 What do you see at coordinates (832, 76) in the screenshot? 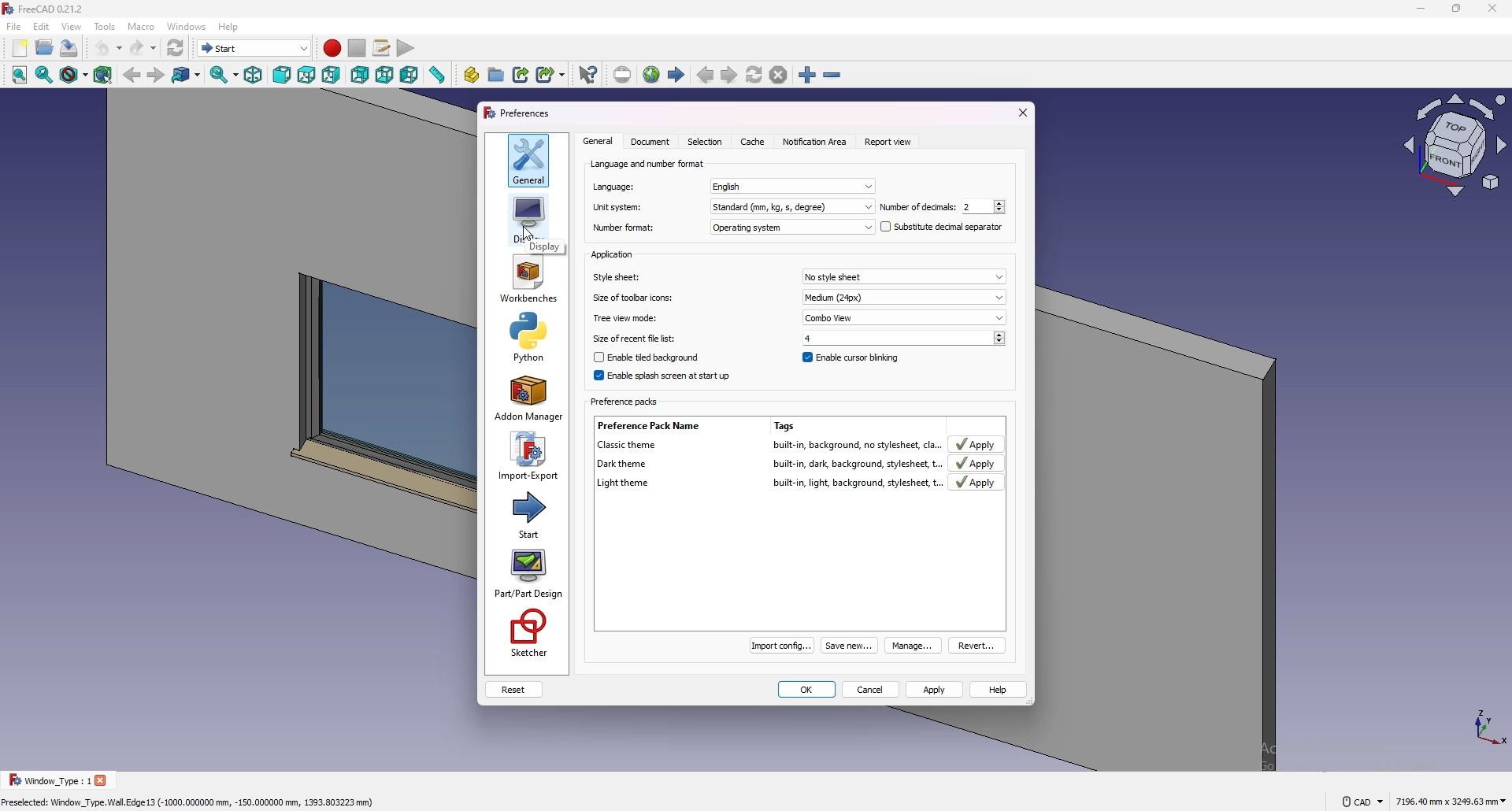
I see `zoom out` at bounding box center [832, 76].